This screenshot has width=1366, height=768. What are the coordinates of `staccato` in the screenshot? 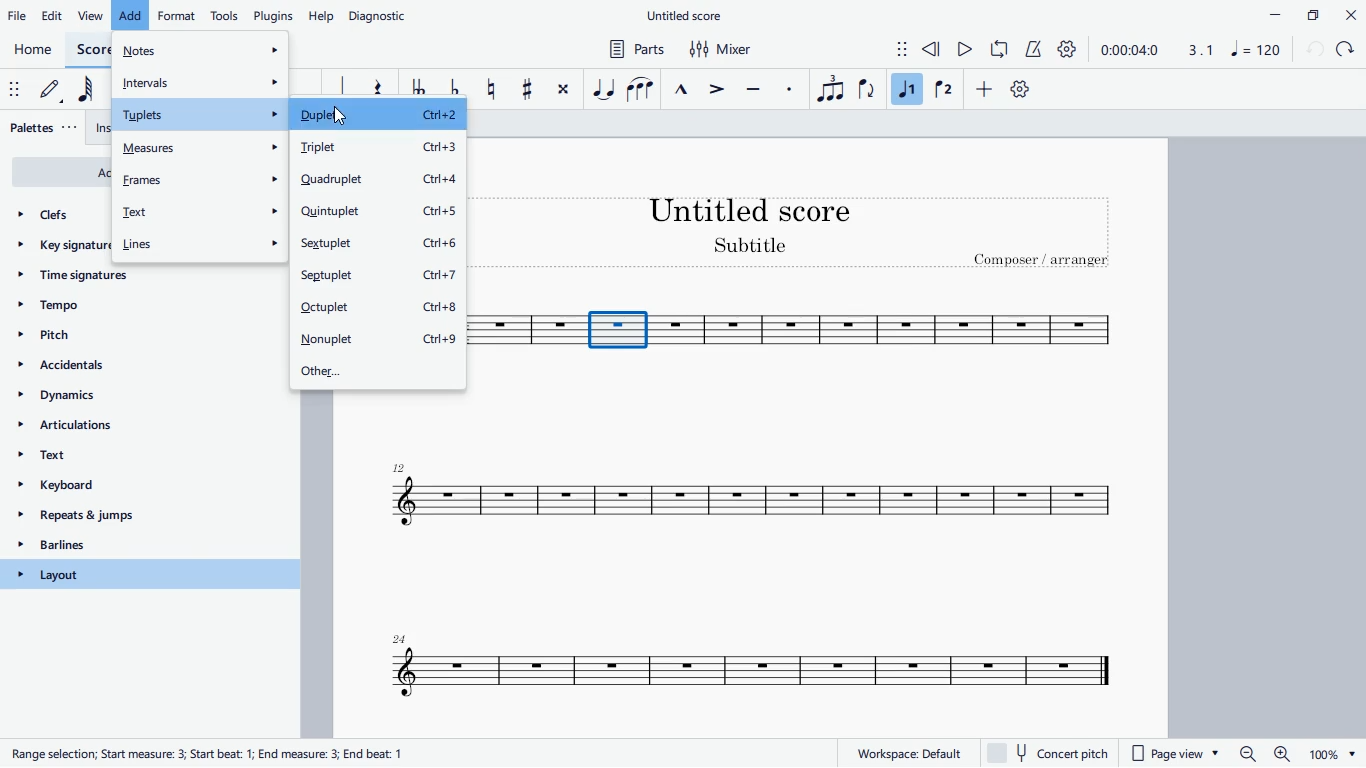 It's located at (791, 89).